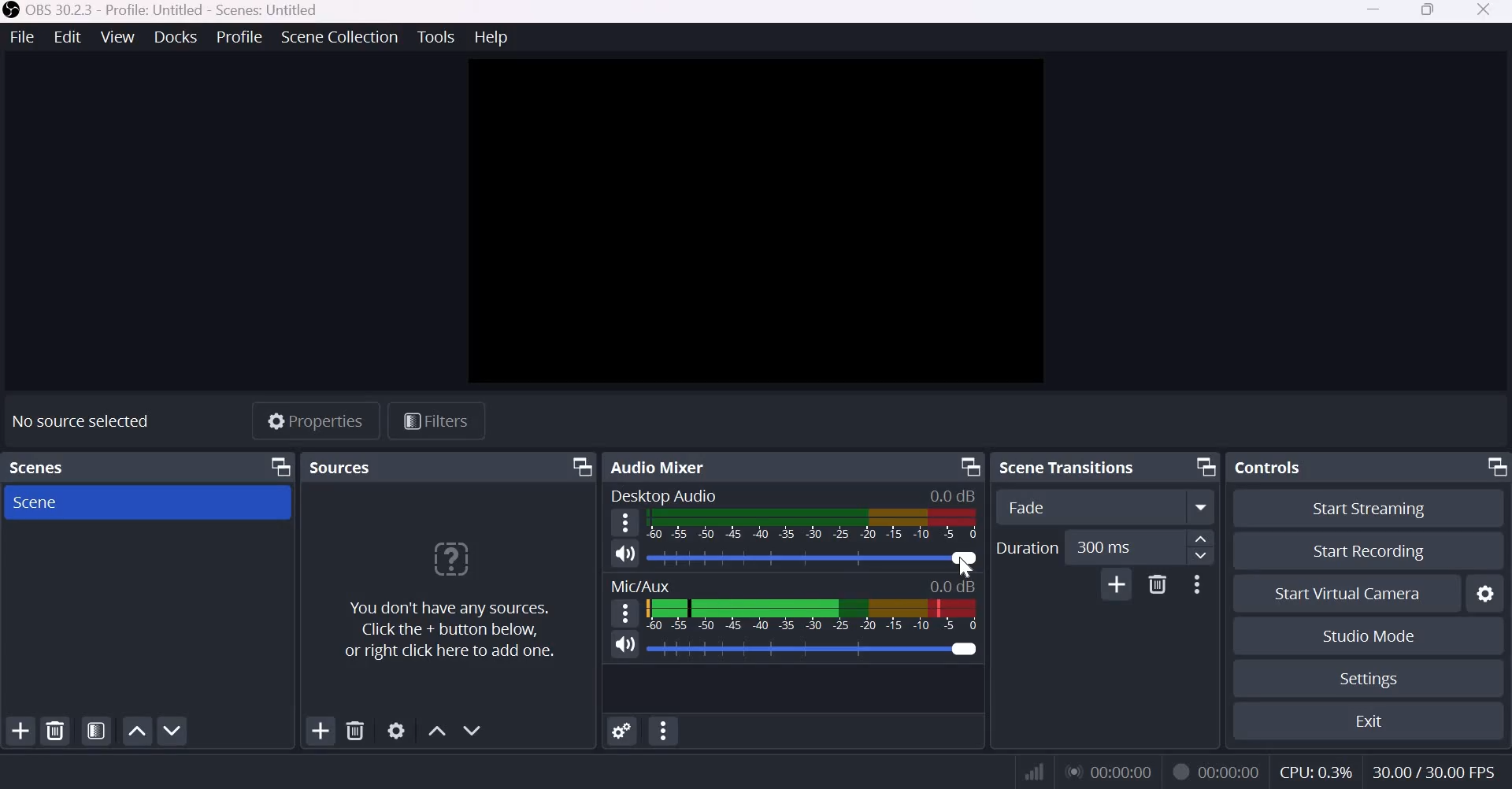 Image resolution: width=1512 pixels, height=789 pixels. Describe the element at coordinates (55, 732) in the screenshot. I see `Remove selected scene` at that location.